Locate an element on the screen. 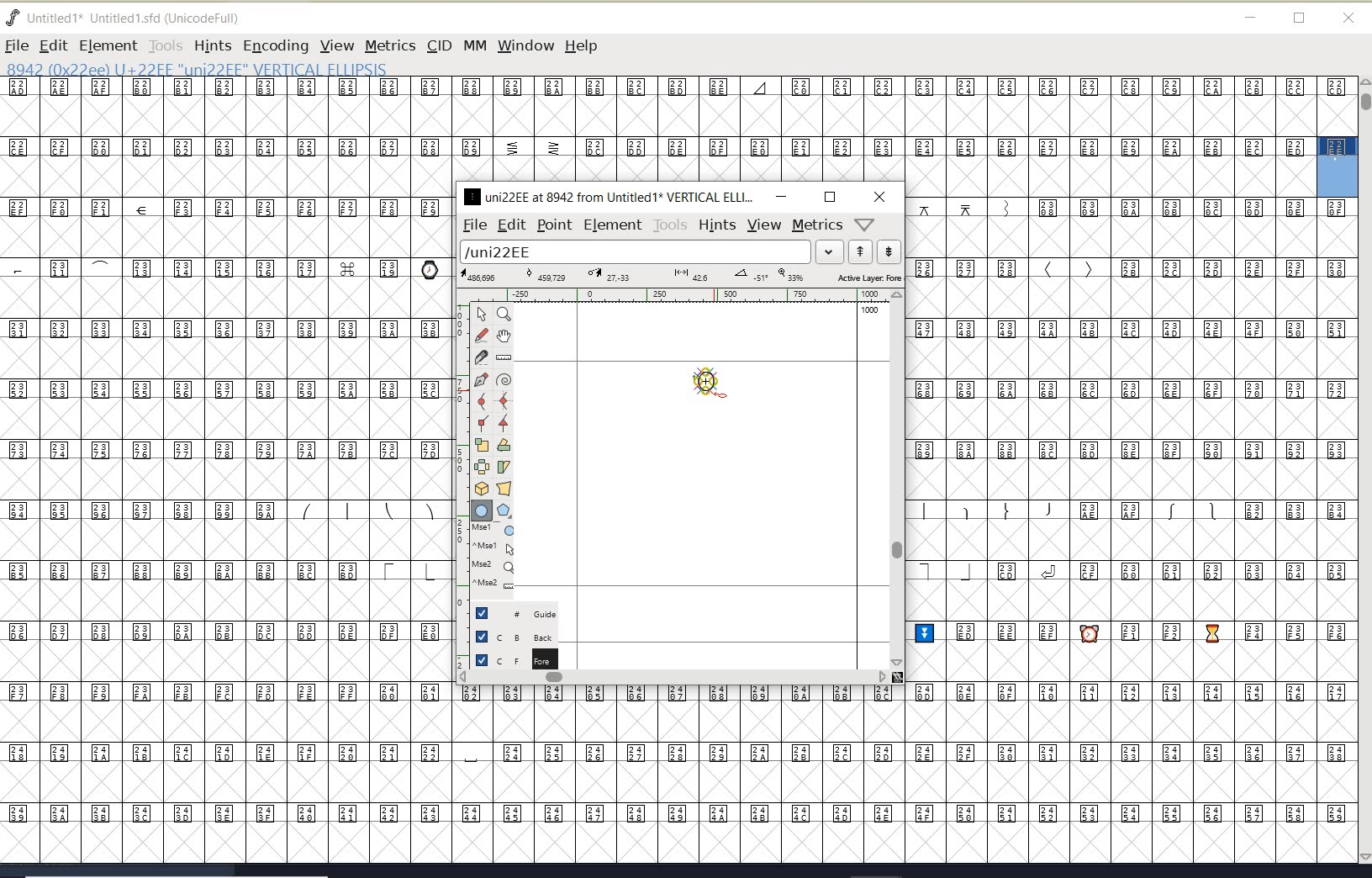 This screenshot has width=1372, height=878. perform a perspective transformation on the selection is located at coordinates (504, 488).